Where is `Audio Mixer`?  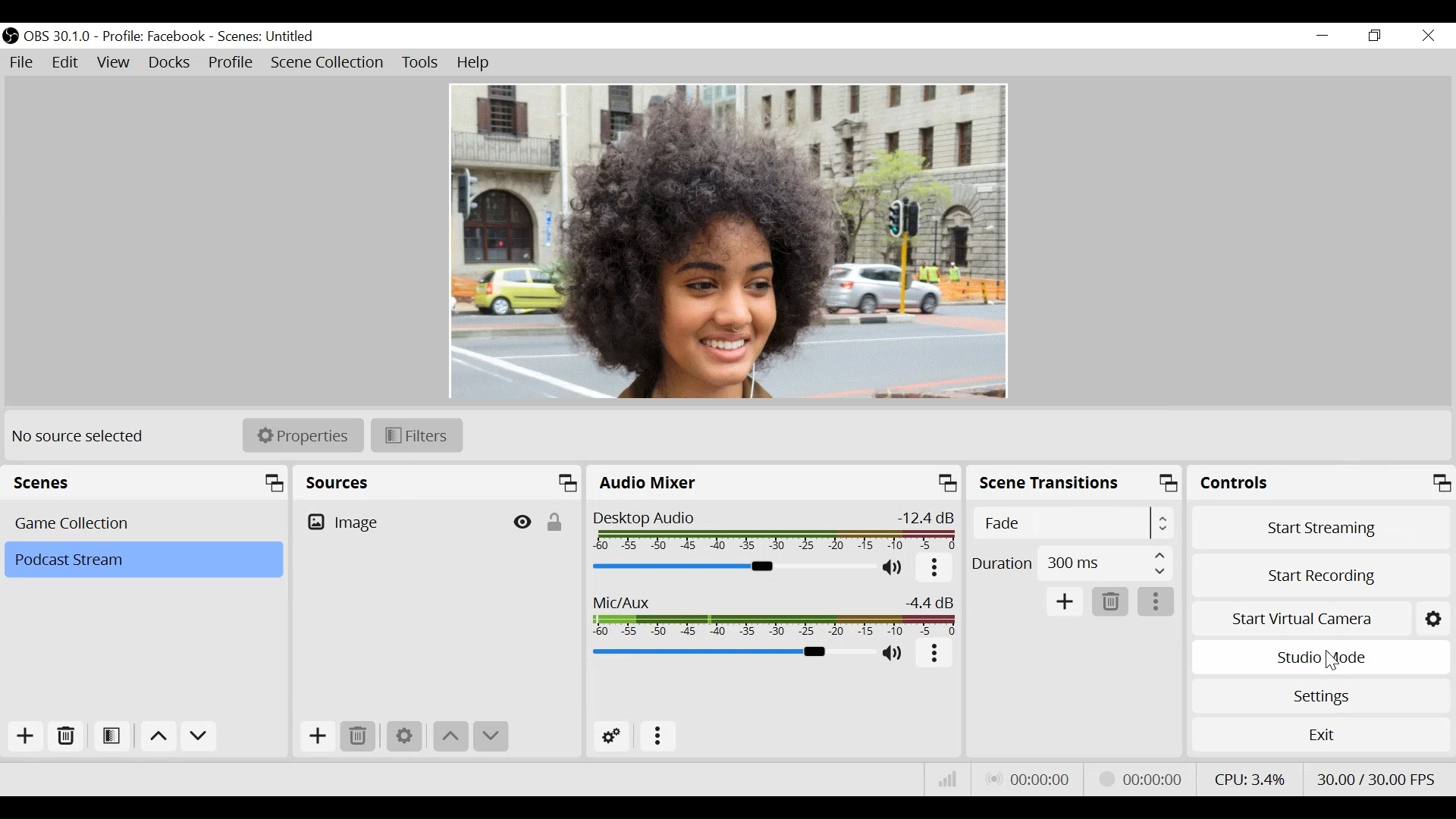
Audio Mixer is located at coordinates (773, 482).